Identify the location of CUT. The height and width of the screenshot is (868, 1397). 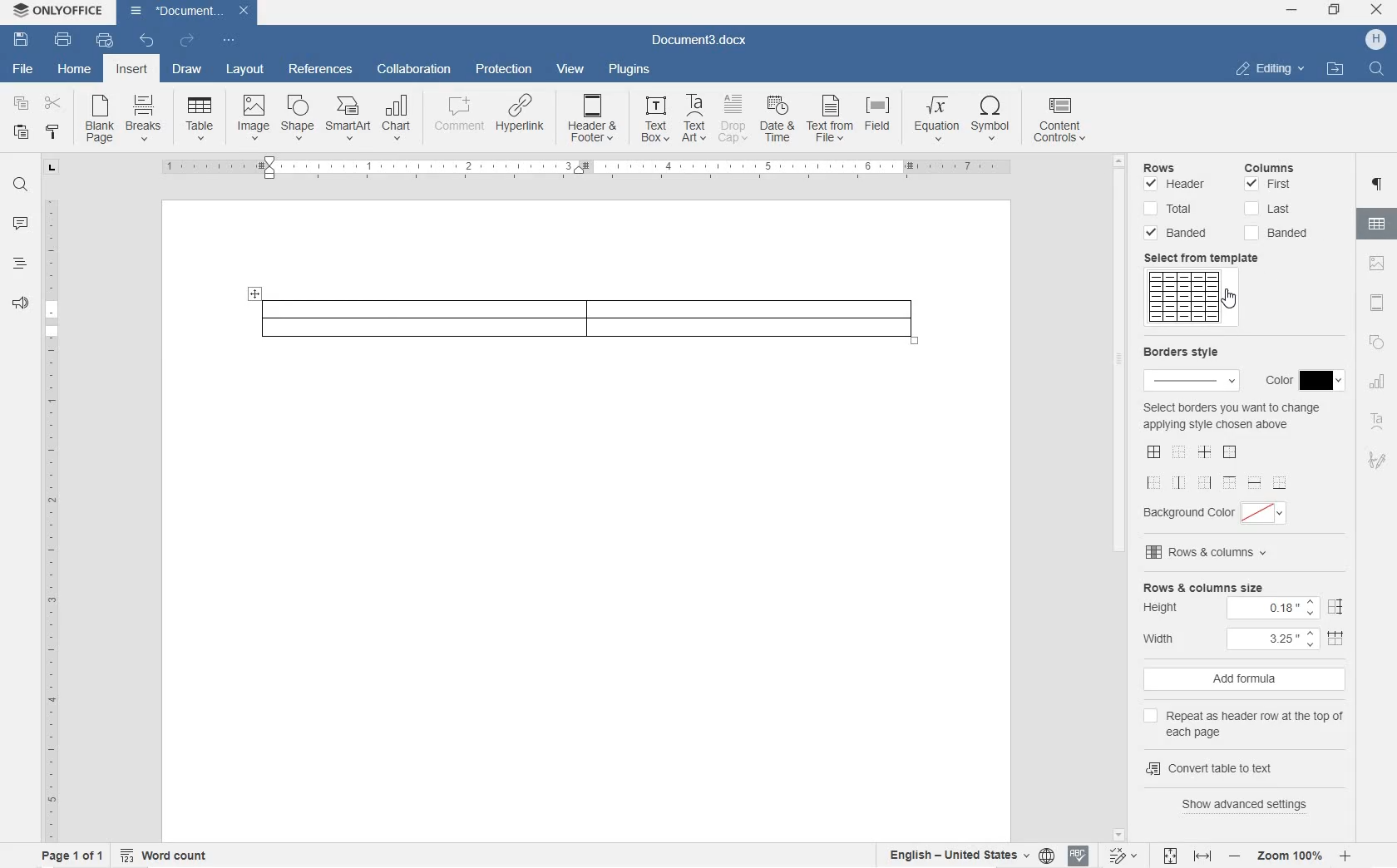
(57, 106).